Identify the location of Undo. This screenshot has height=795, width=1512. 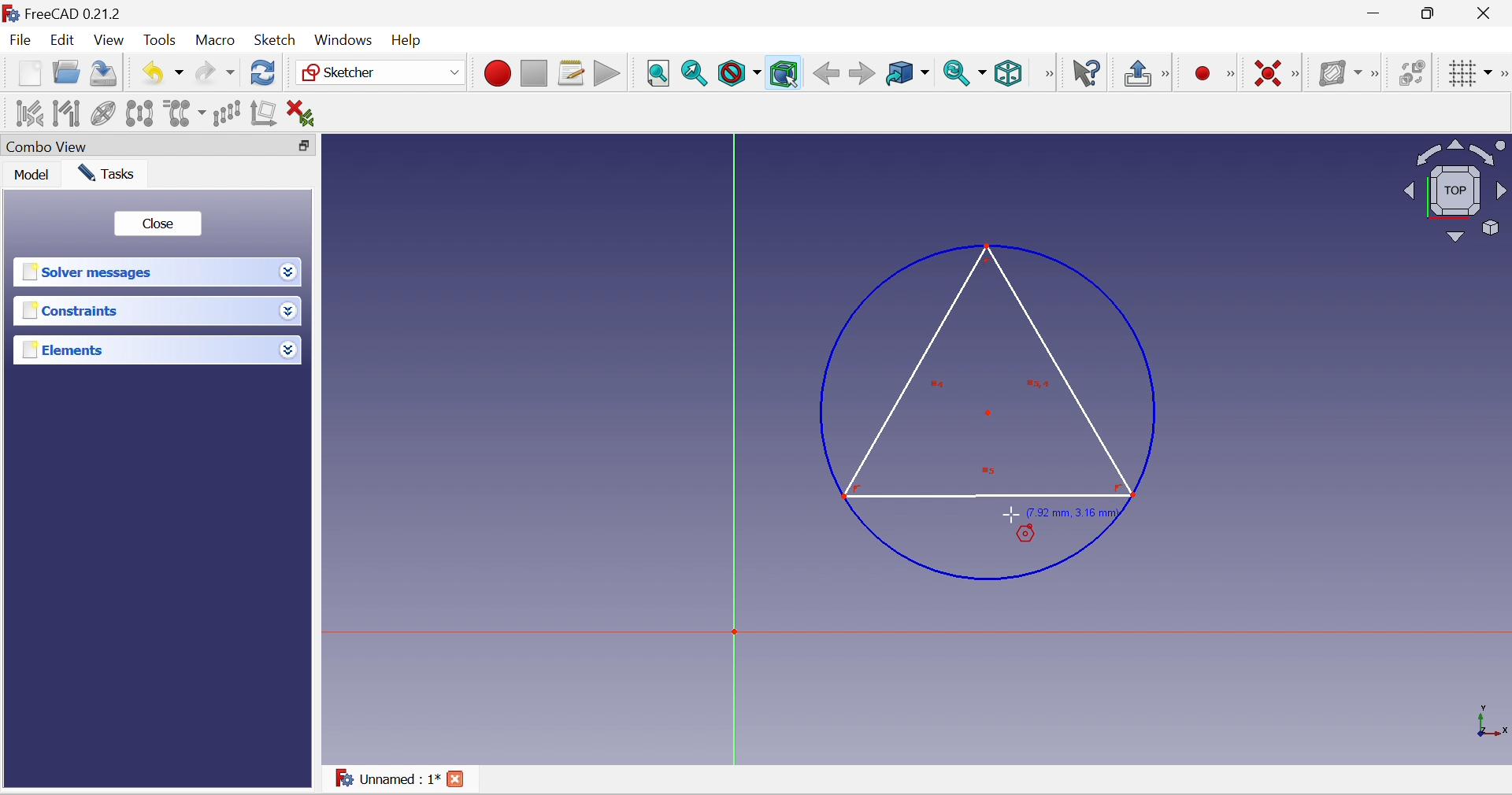
(161, 74).